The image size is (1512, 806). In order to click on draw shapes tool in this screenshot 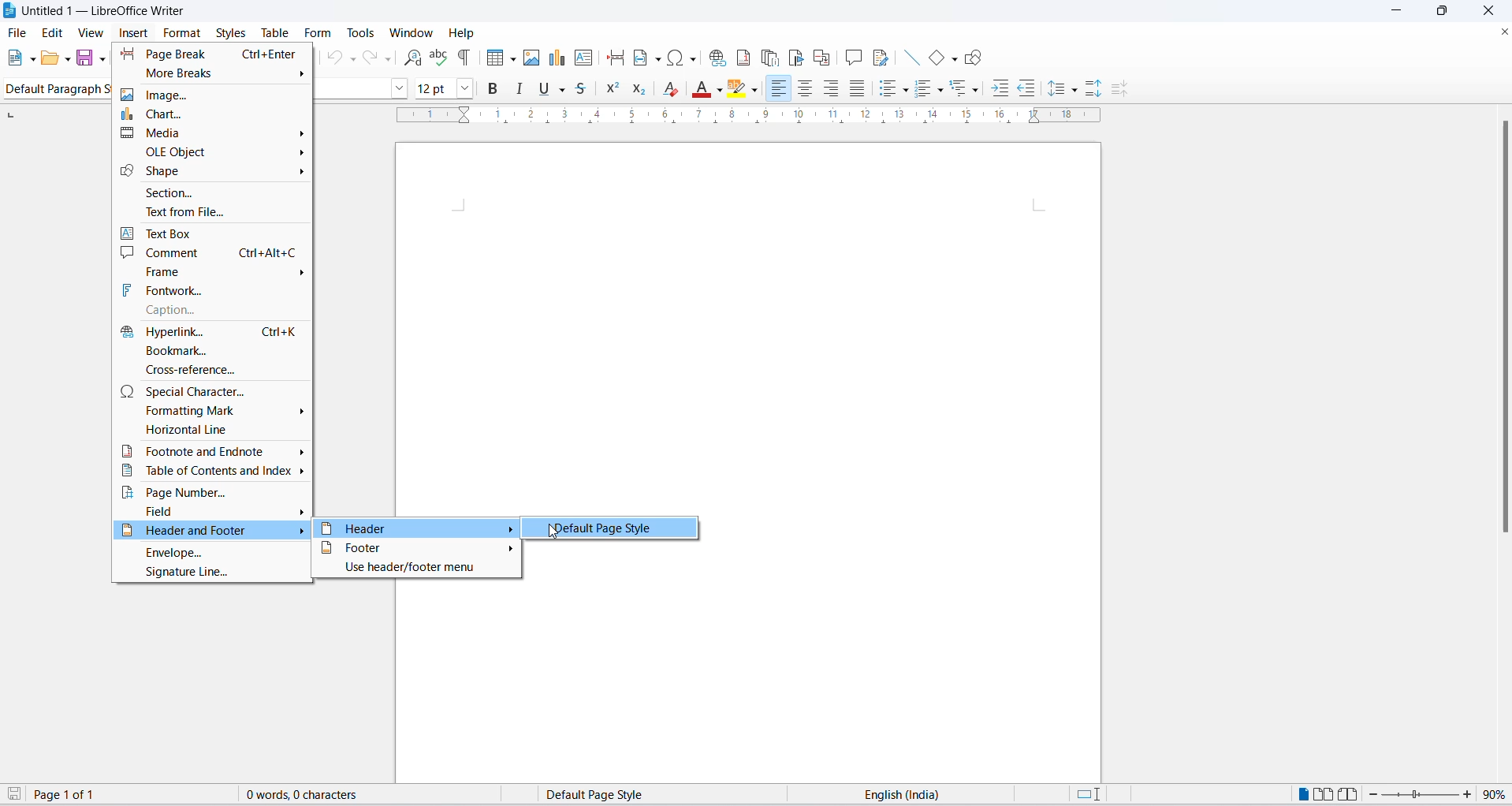, I will do `click(976, 58)`.